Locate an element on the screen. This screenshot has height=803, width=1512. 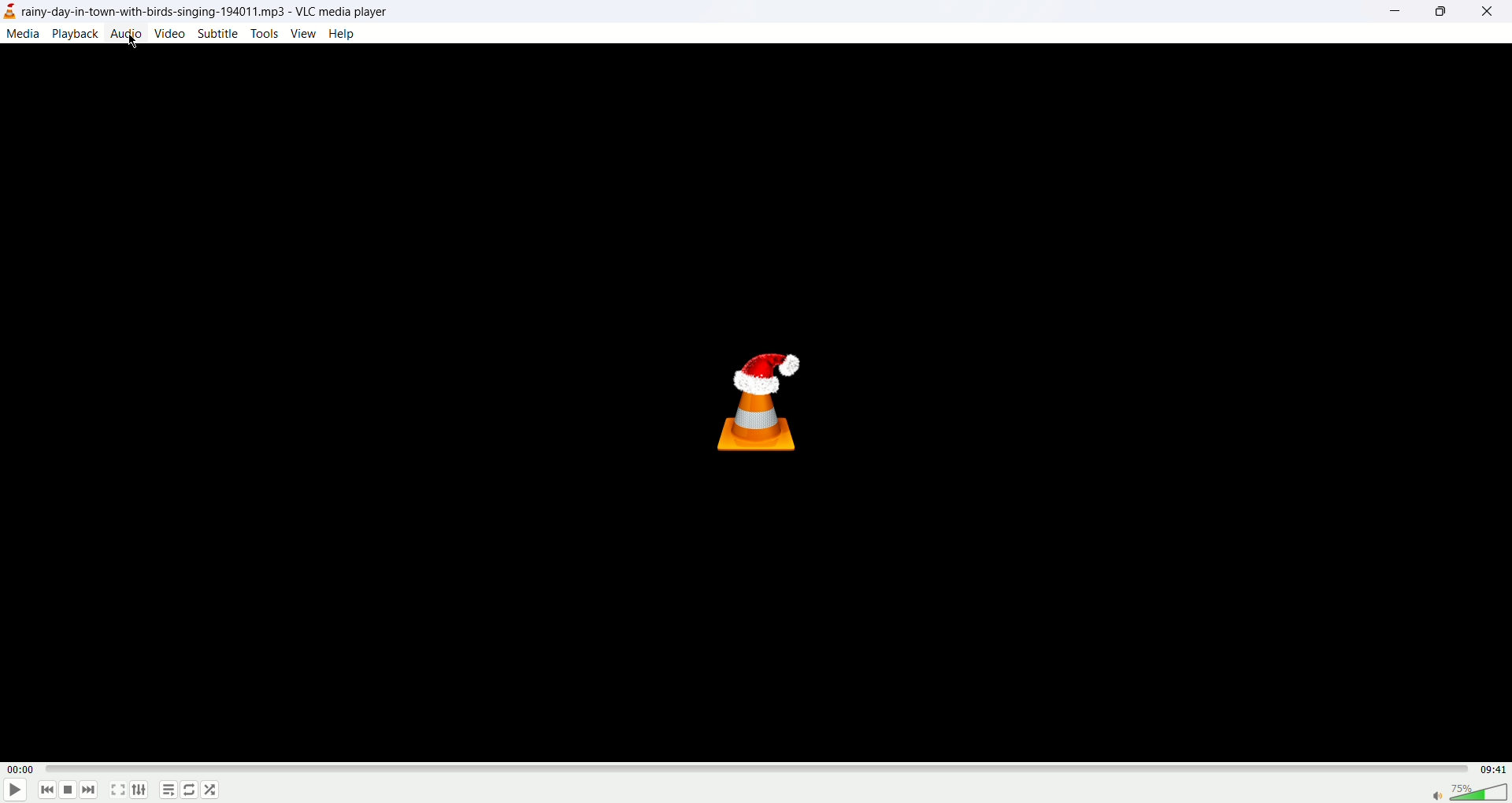
total time is located at coordinates (1488, 768).